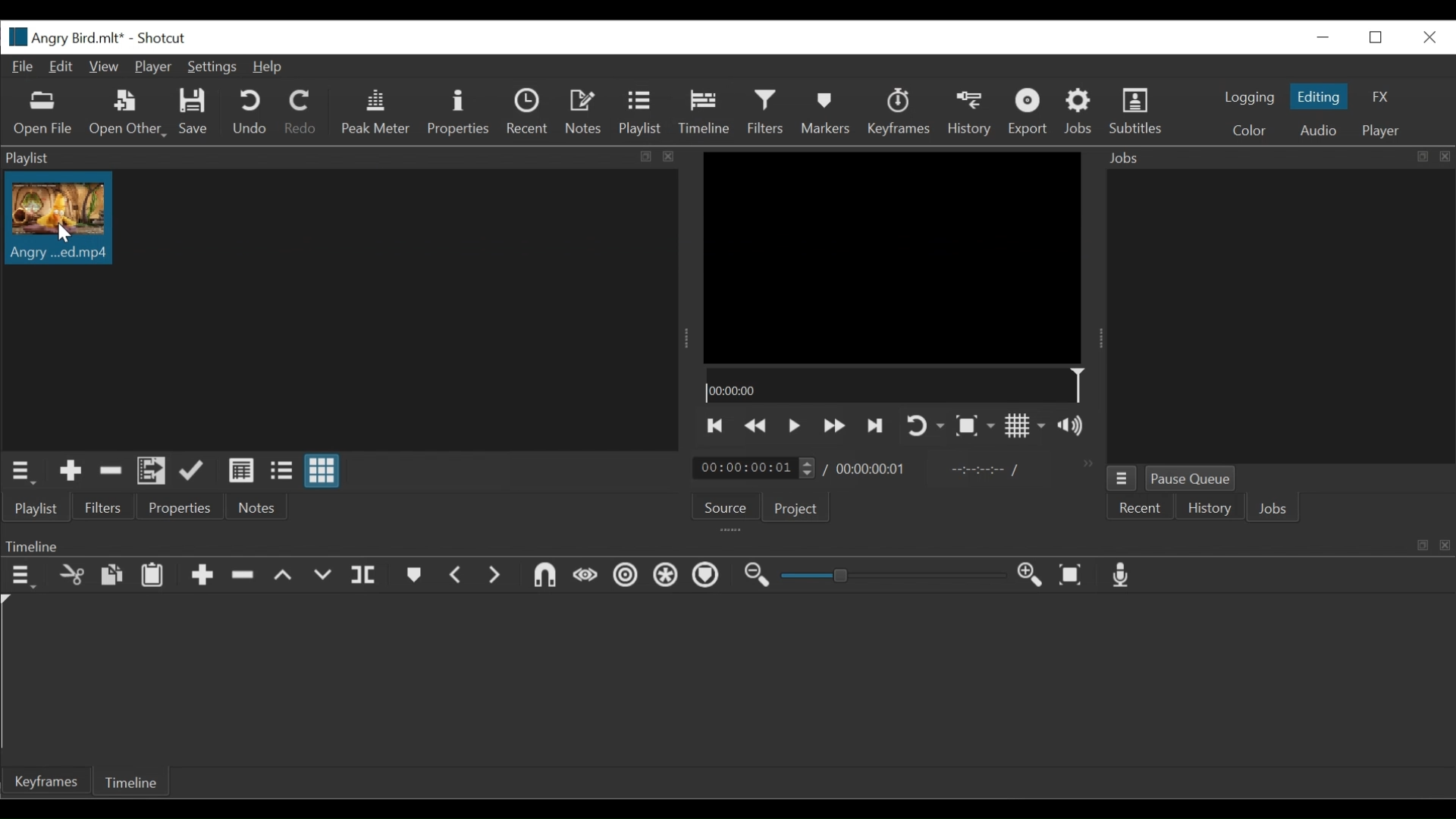 Image resolution: width=1456 pixels, height=819 pixels. I want to click on Playlist, so click(639, 114).